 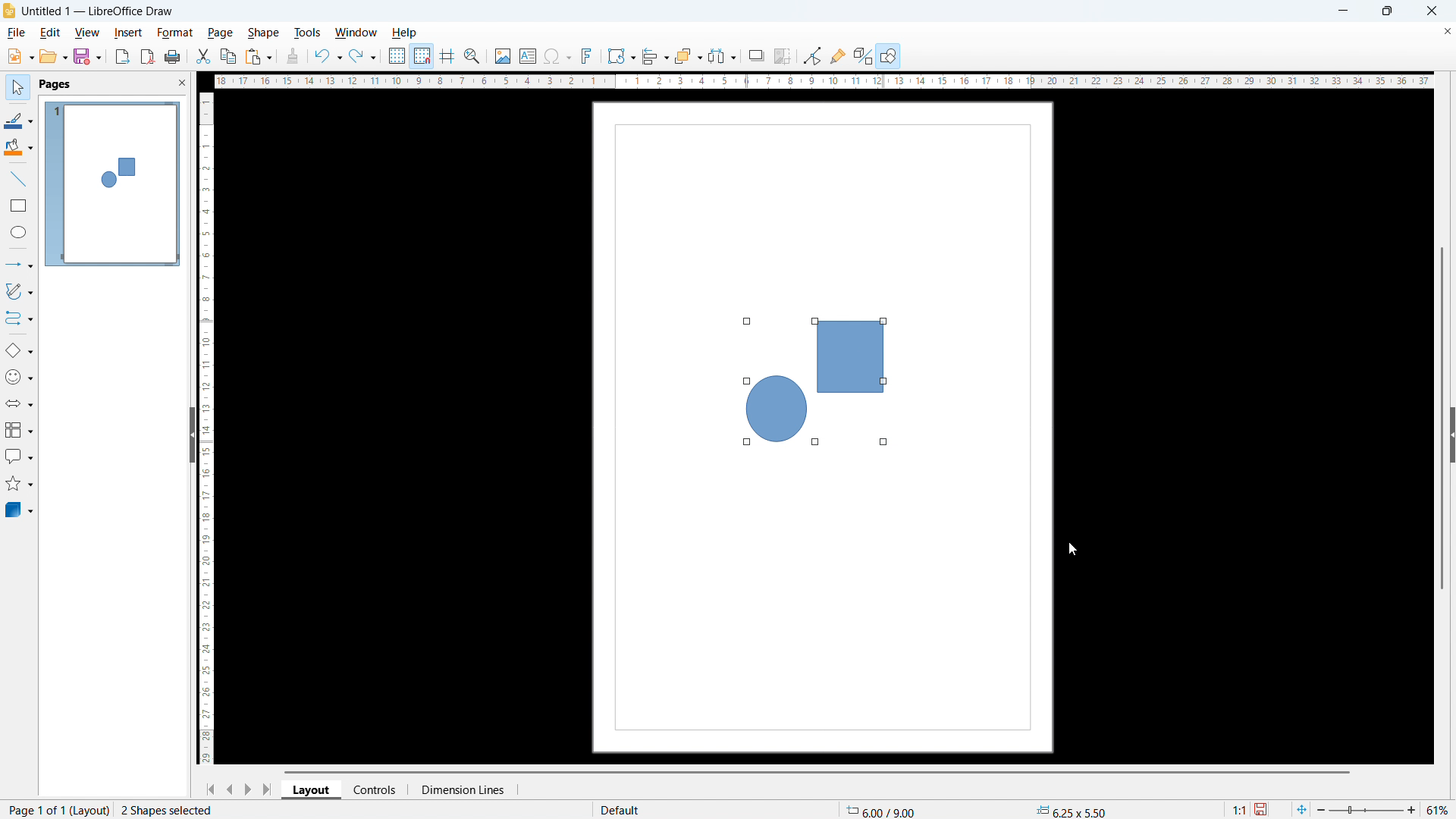 What do you see at coordinates (356, 33) in the screenshot?
I see `window` at bounding box center [356, 33].